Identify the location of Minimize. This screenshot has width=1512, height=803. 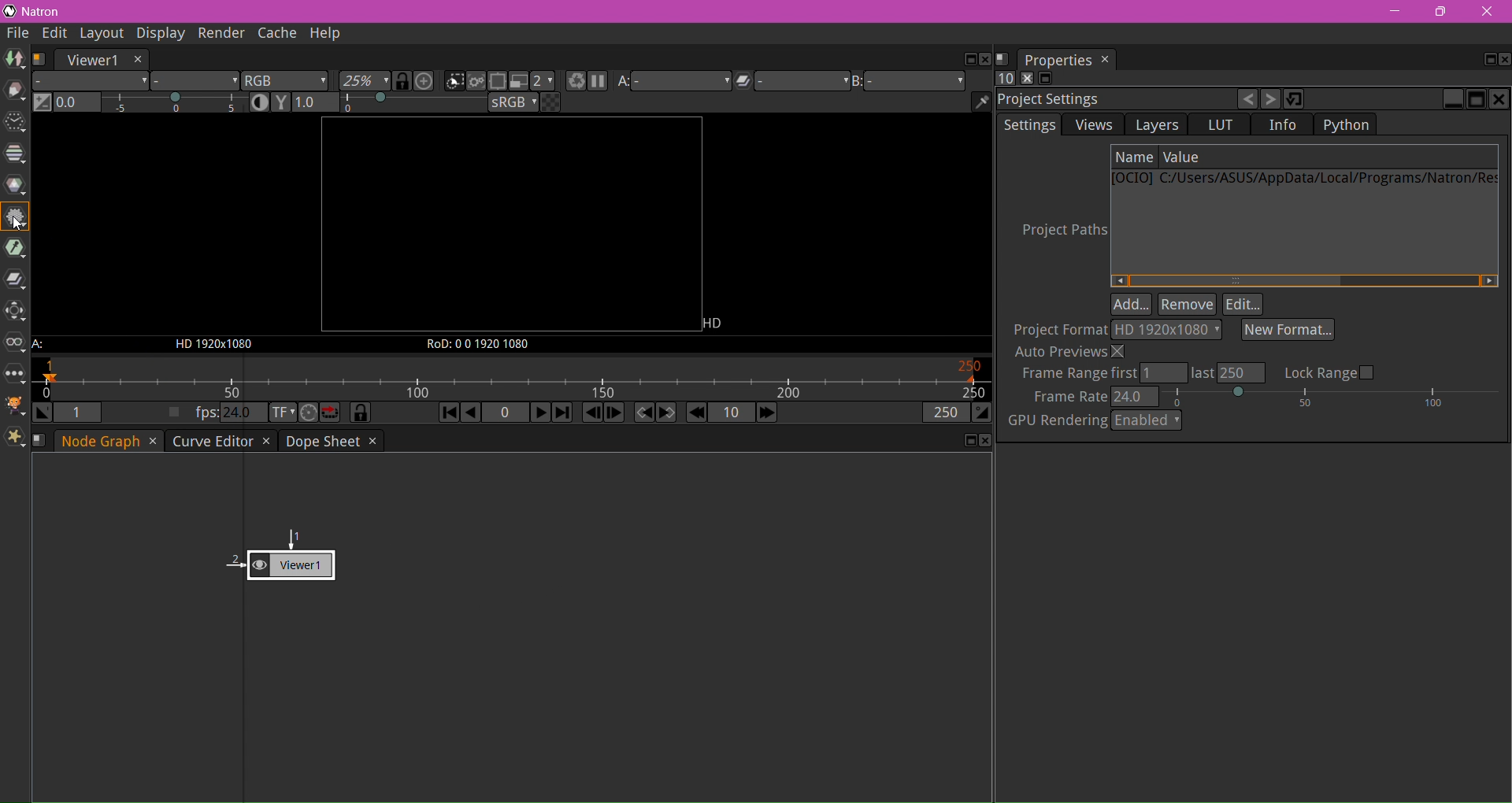
(1395, 11).